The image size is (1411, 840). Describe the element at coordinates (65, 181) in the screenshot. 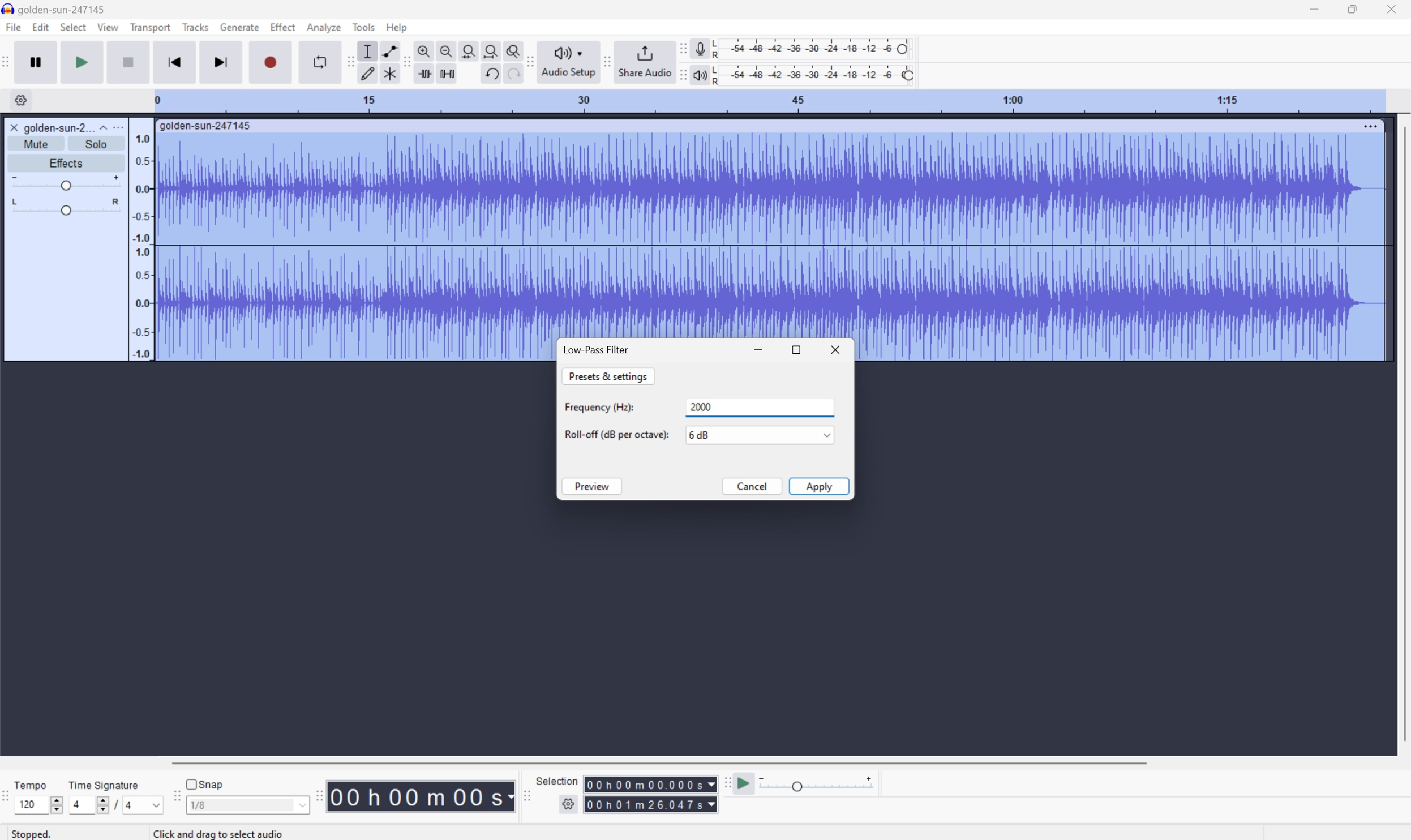

I see `Slider` at that location.